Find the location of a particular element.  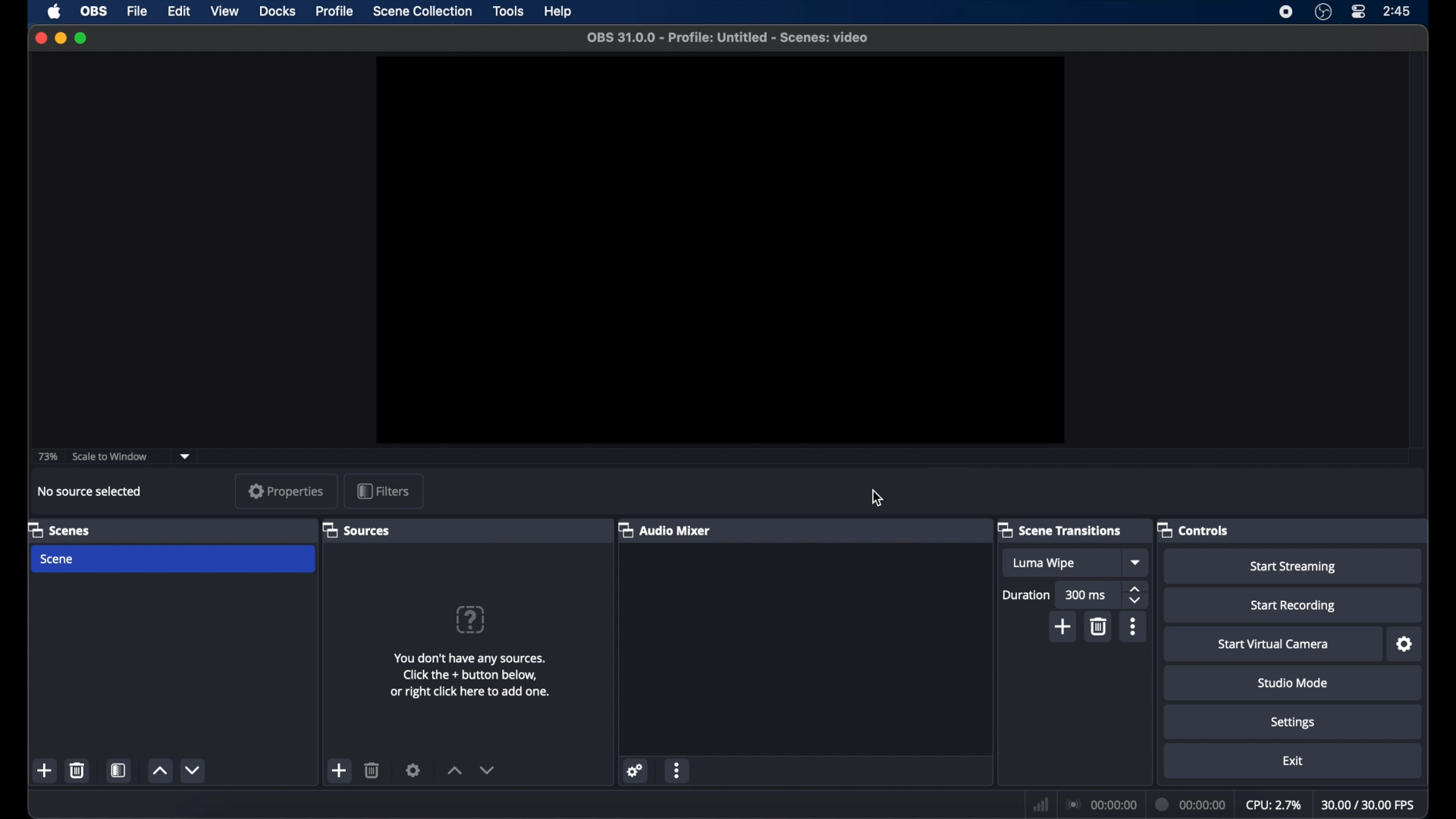

decrement is located at coordinates (487, 770).